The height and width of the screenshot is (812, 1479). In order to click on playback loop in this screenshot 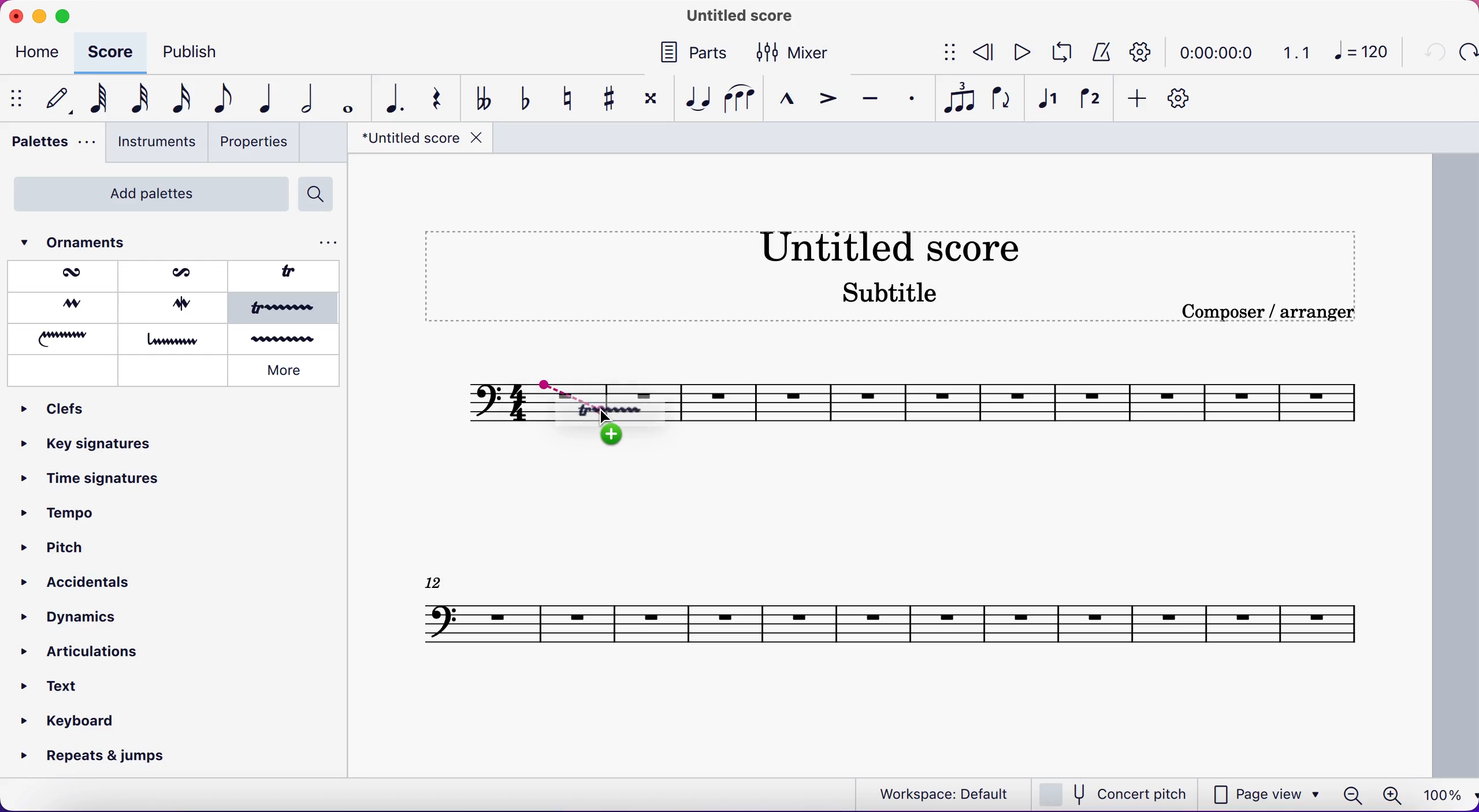, I will do `click(1060, 54)`.